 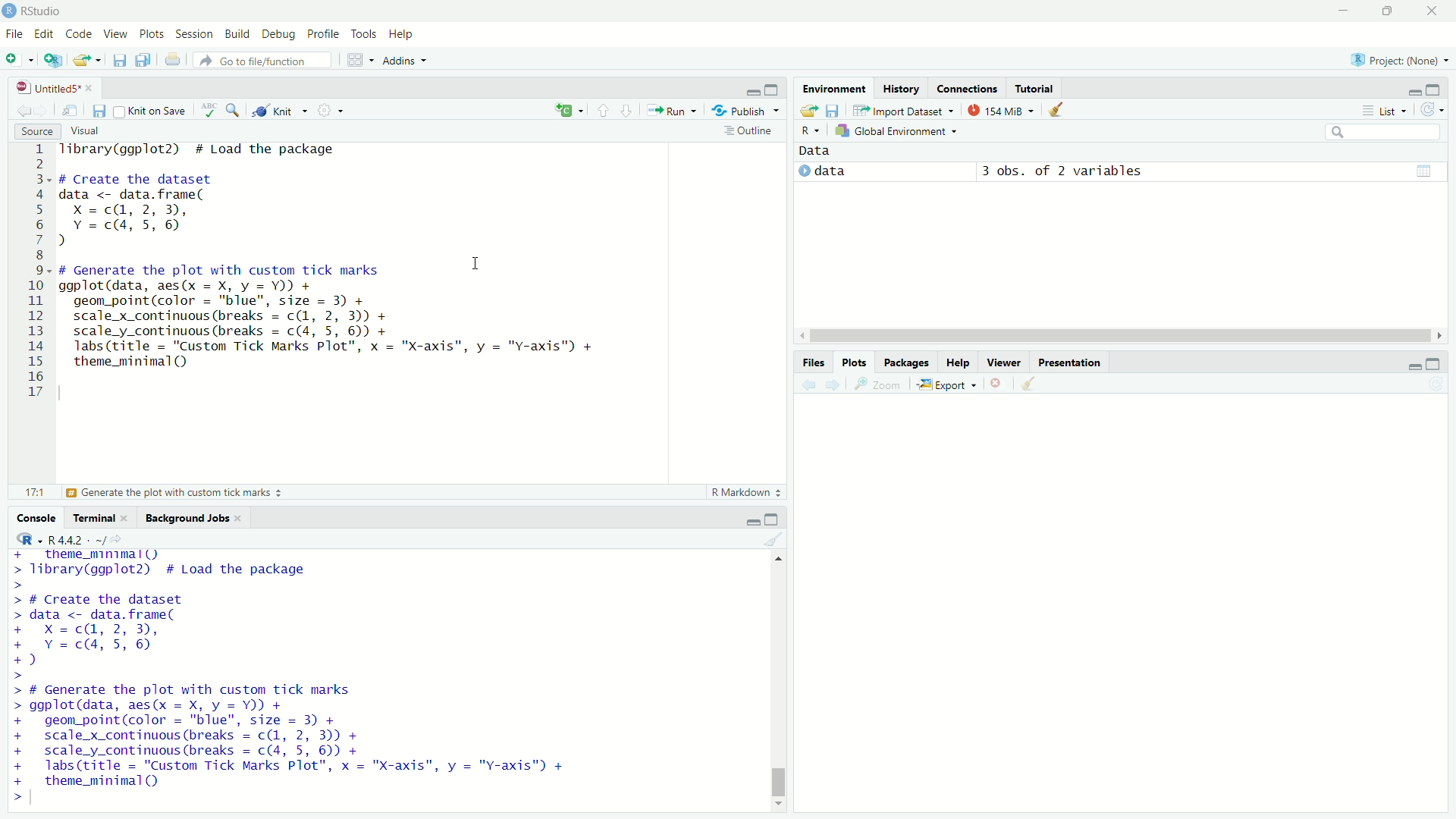 I want to click on typing cursor, so click(x=37, y=800).